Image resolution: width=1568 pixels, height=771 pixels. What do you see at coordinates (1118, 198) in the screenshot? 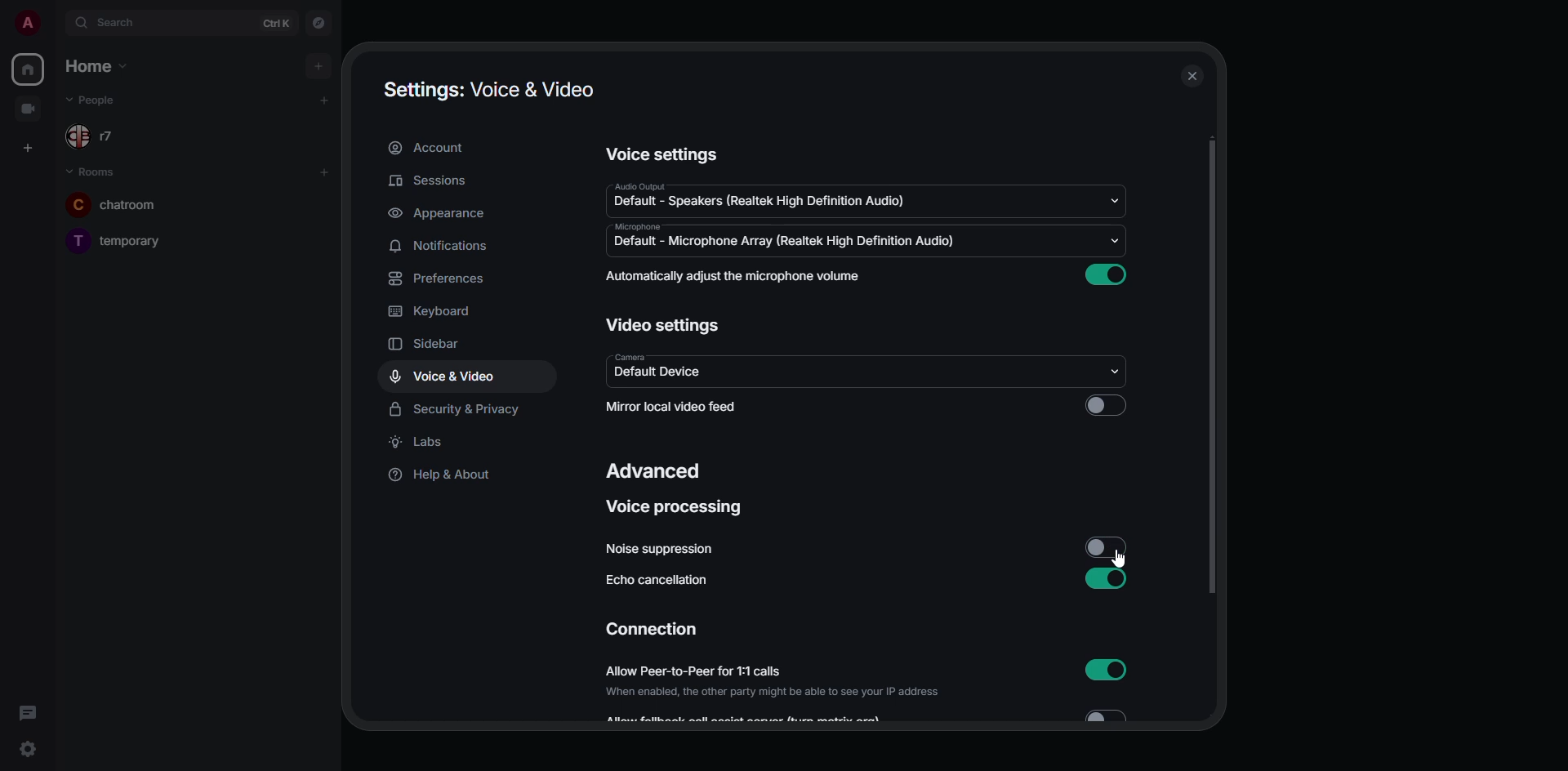
I see `drop down` at bounding box center [1118, 198].